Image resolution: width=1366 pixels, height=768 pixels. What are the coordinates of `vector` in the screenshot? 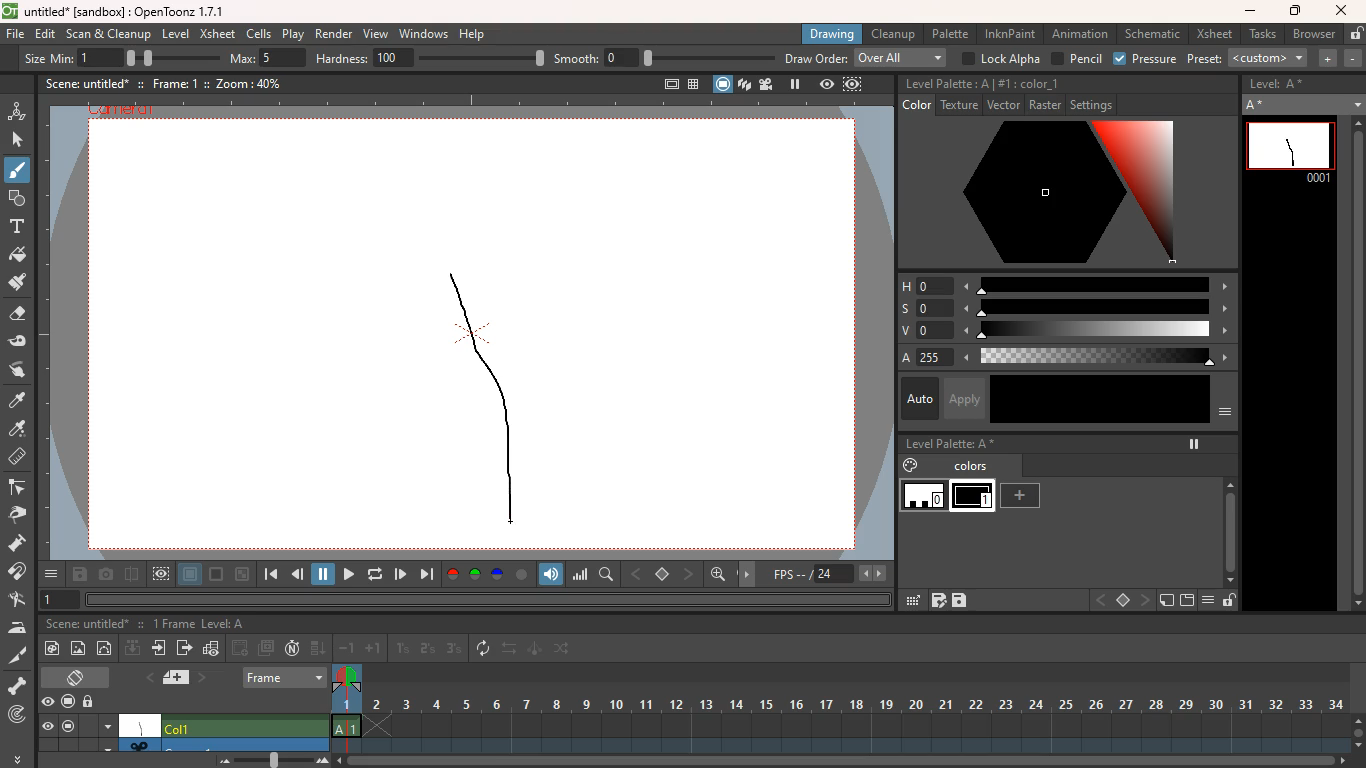 It's located at (1001, 106).